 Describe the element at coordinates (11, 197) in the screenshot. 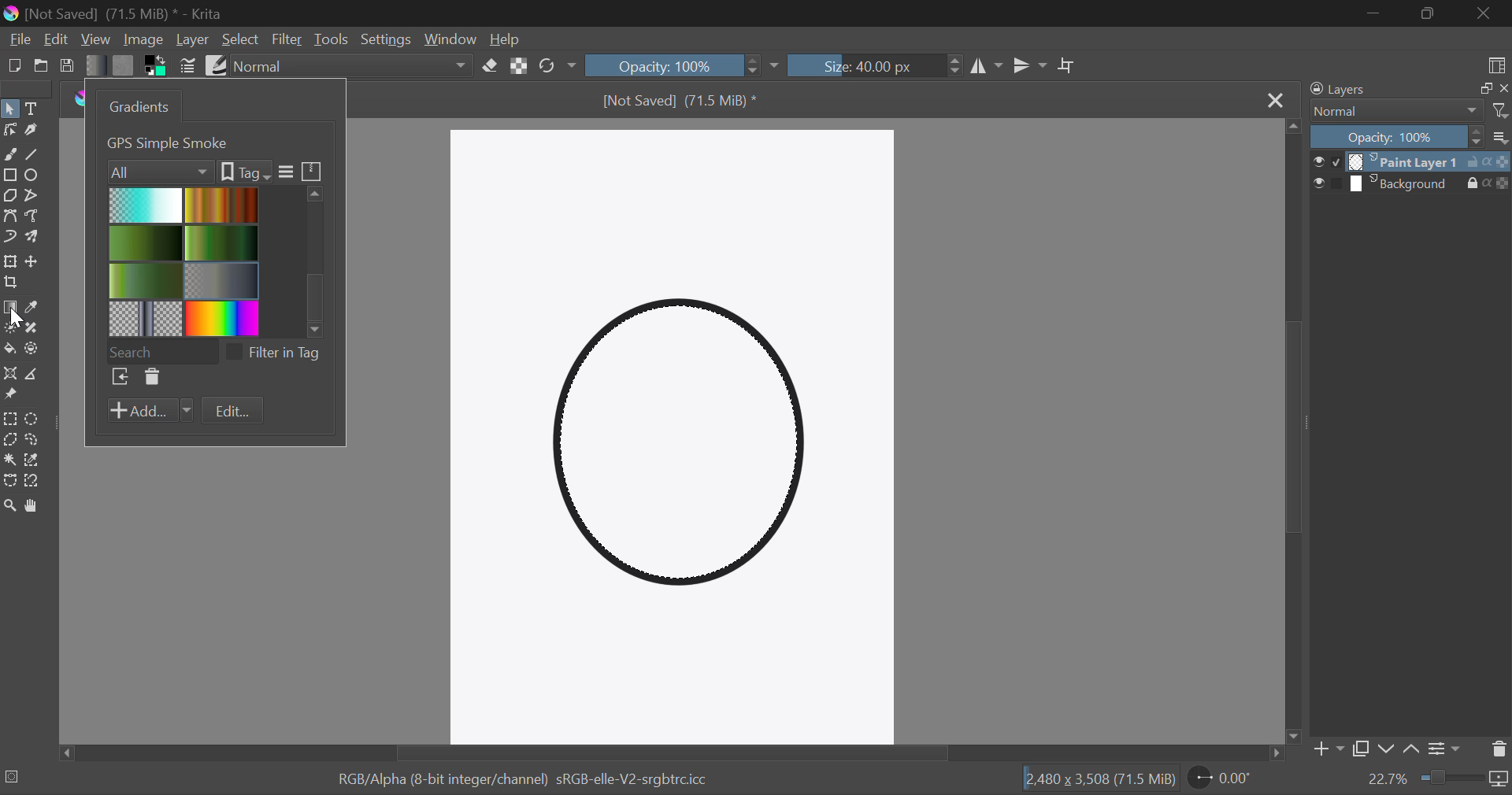

I see `Polygon` at that location.